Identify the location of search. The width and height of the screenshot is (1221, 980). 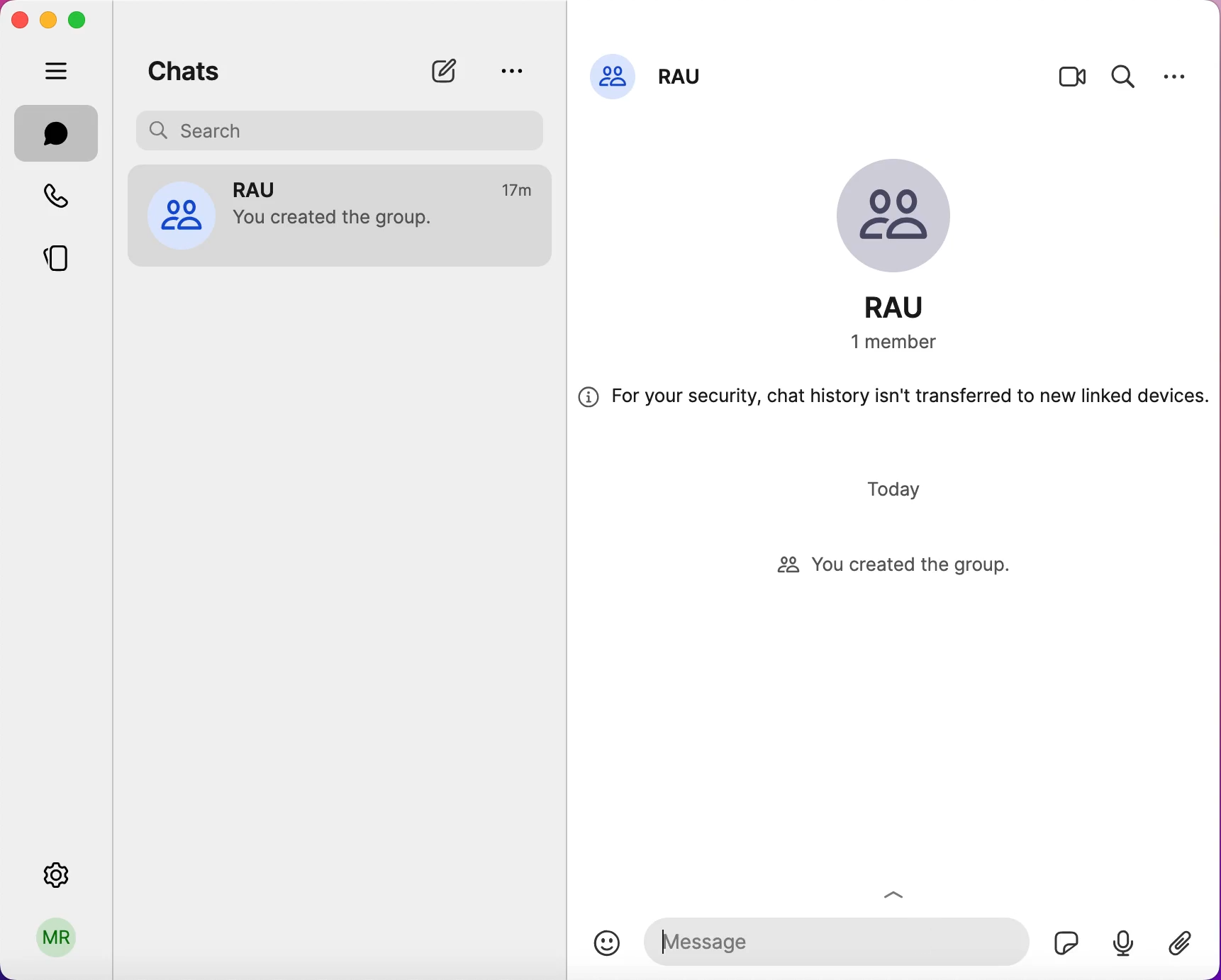
(1124, 74).